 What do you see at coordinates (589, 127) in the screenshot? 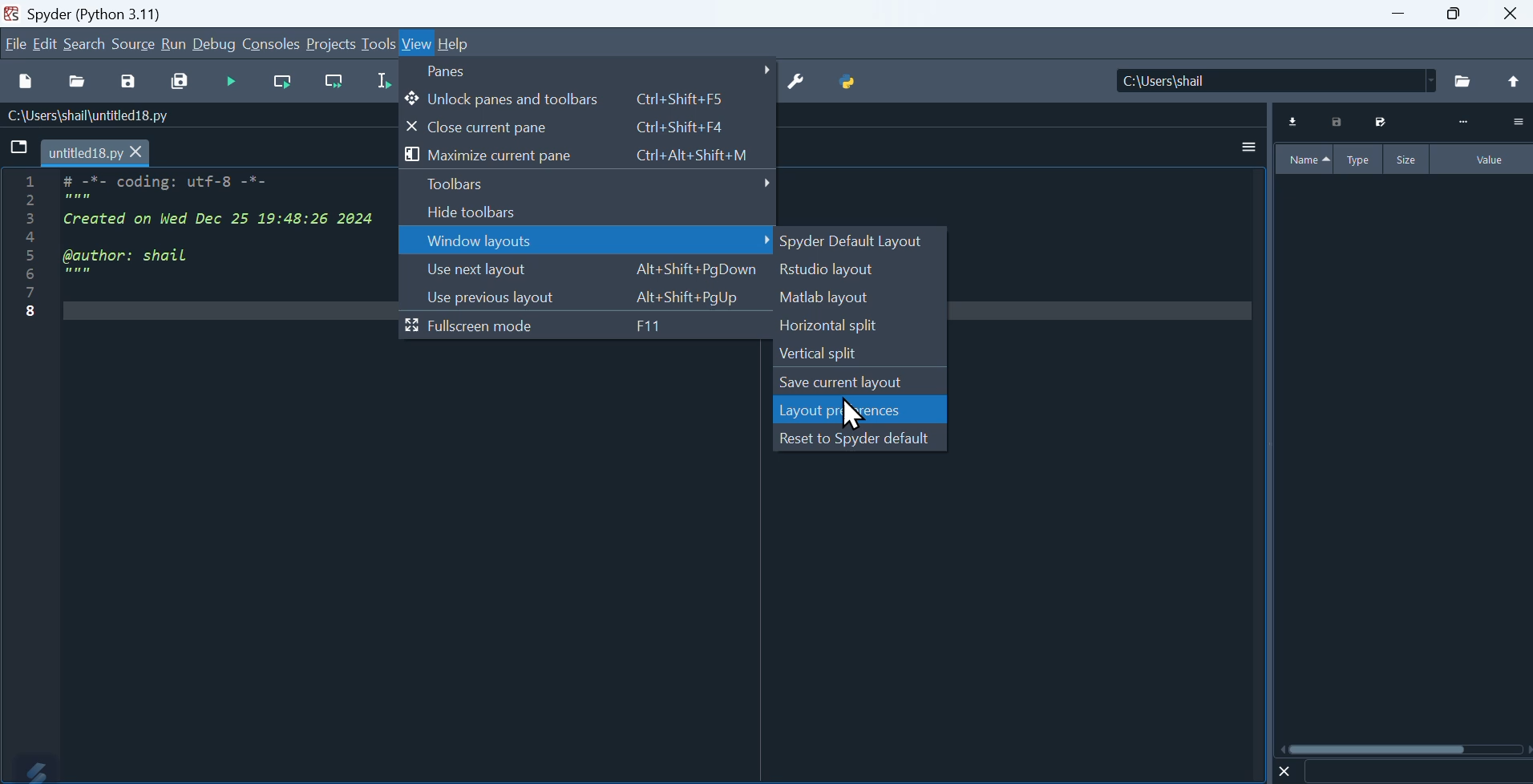
I see `Closed current pain` at bounding box center [589, 127].